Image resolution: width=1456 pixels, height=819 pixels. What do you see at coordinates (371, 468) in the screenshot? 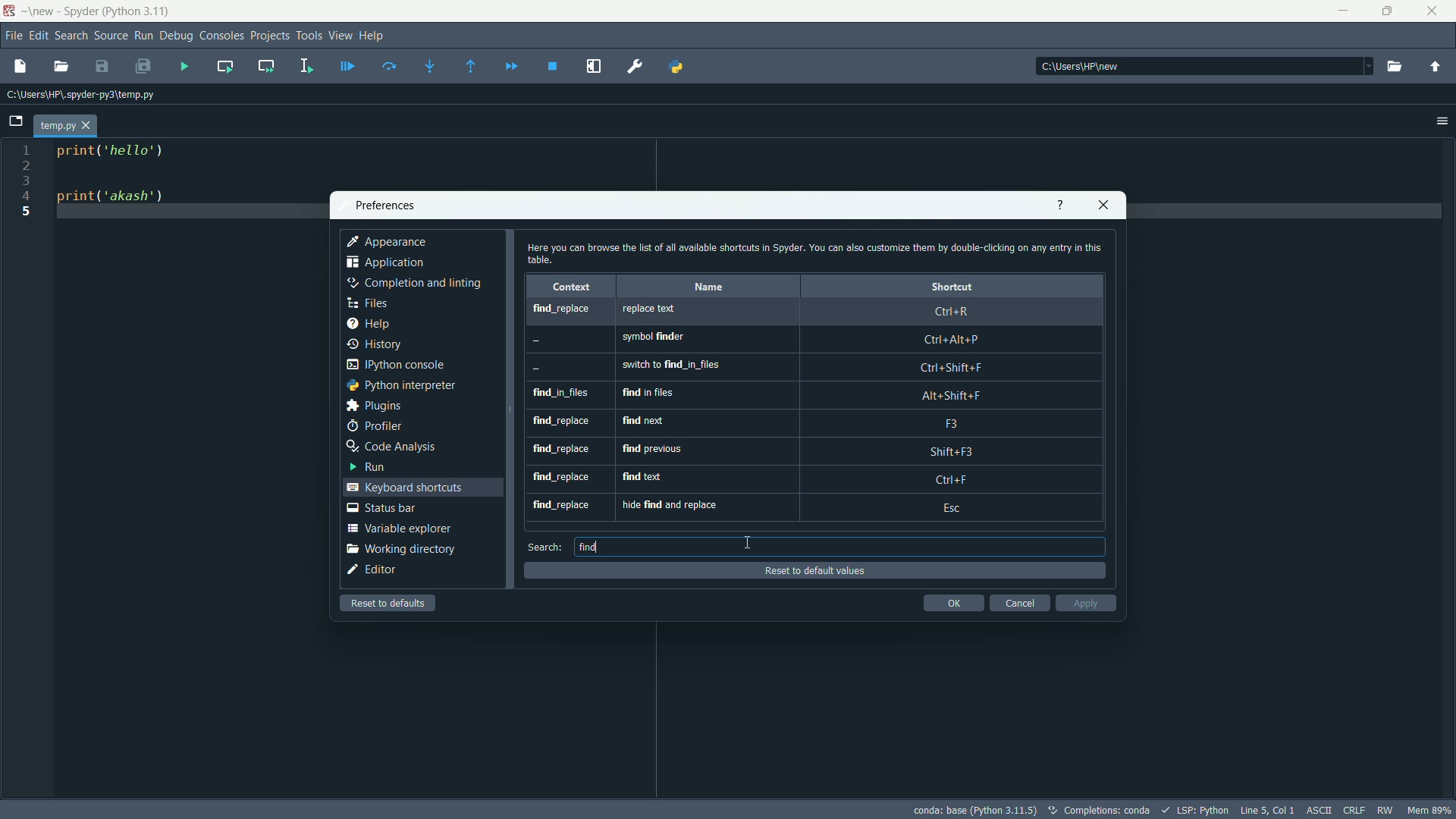
I see `run` at bounding box center [371, 468].